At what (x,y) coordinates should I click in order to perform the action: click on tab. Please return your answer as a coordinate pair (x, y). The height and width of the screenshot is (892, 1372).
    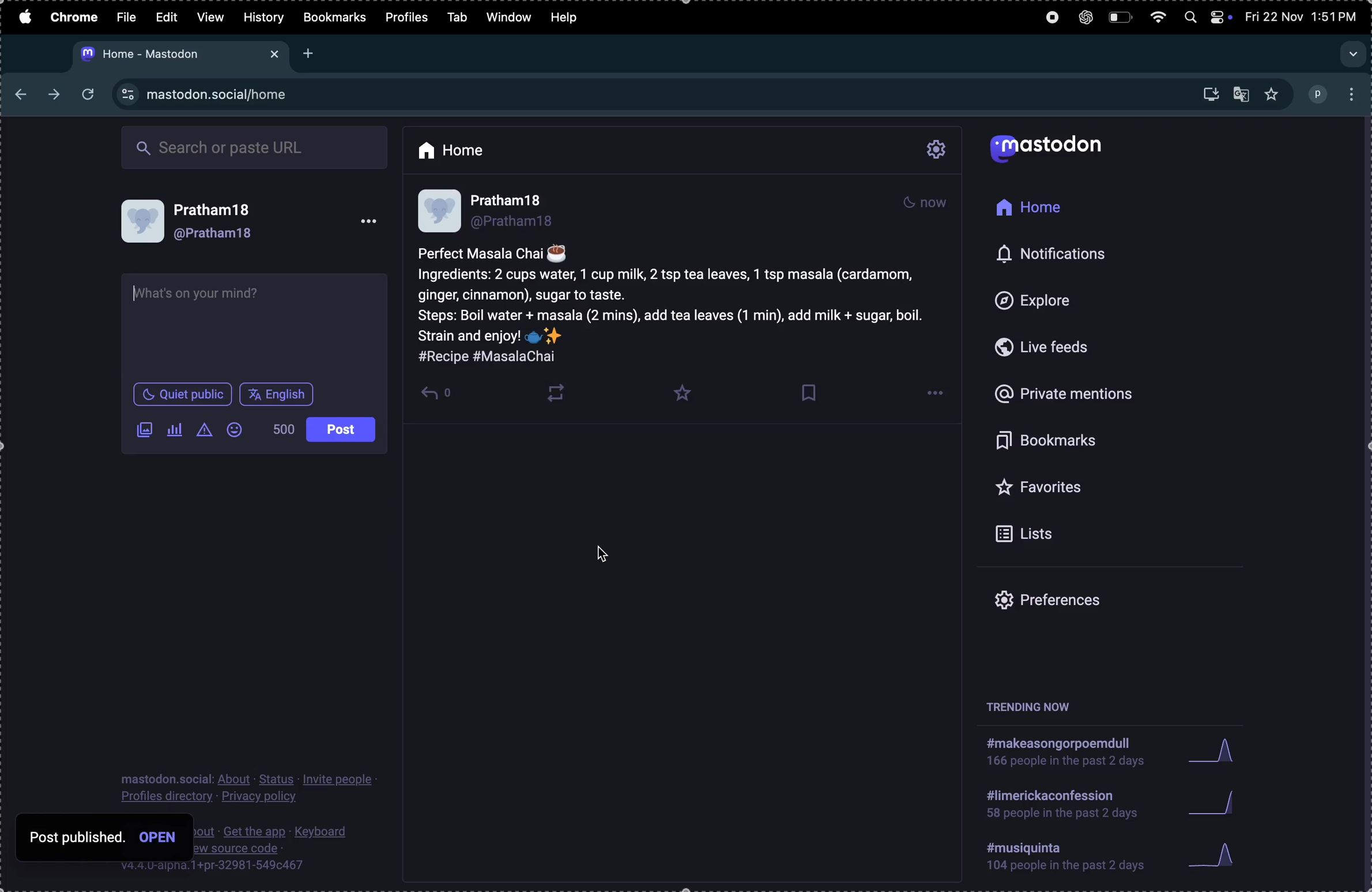
    Looking at the image, I should click on (455, 17).